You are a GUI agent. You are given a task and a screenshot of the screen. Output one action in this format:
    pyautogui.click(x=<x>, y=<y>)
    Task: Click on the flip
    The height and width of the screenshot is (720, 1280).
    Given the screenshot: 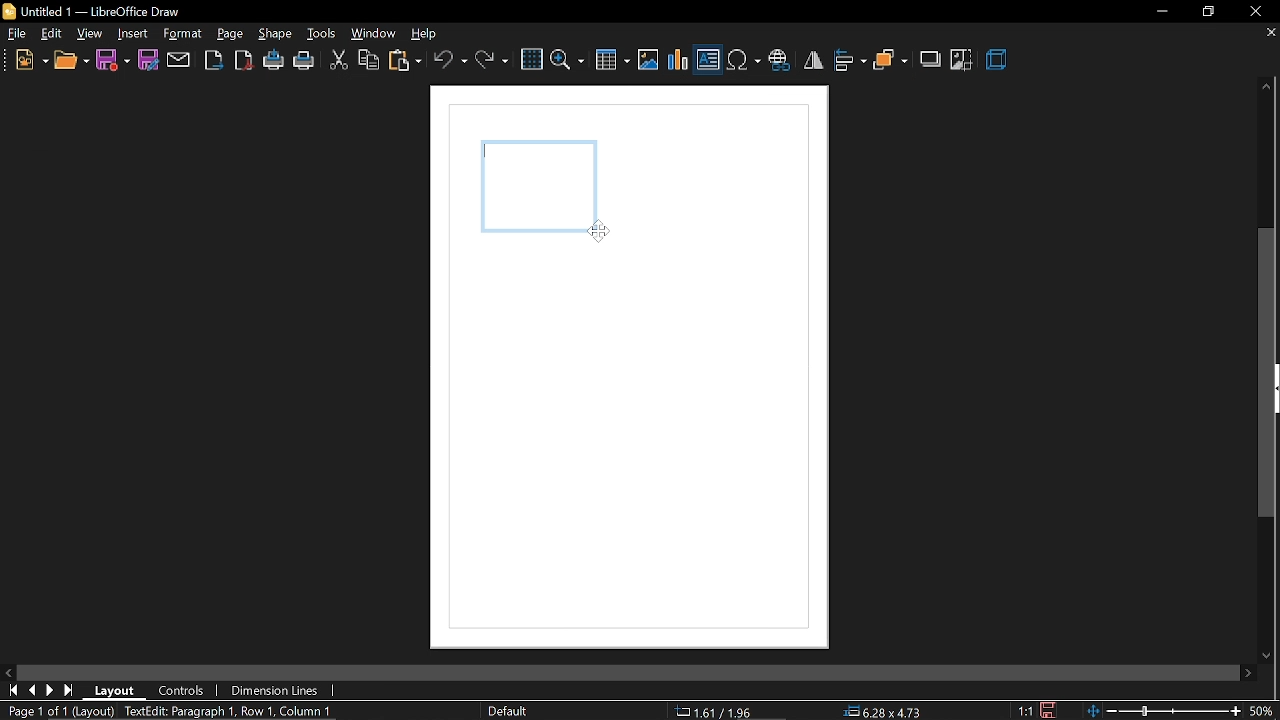 What is the action you would take?
    pyautogui.click(x=813, y=60)
    